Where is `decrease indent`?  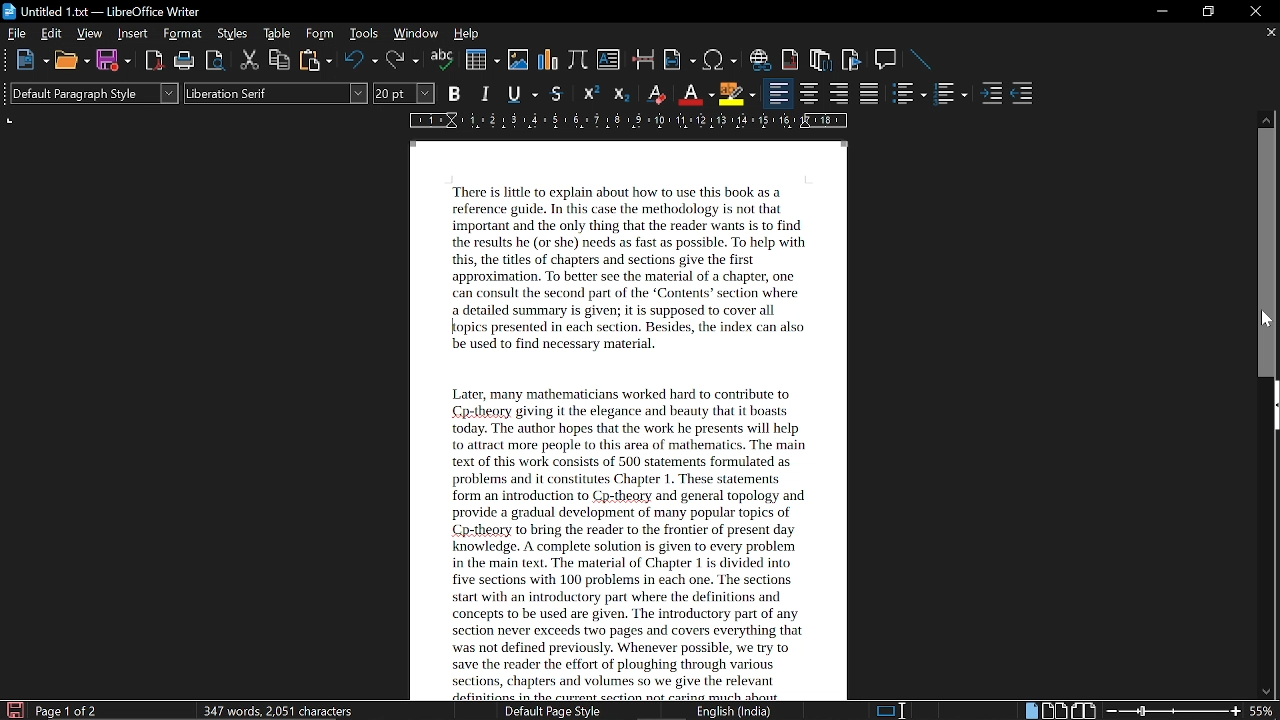 decrease indent is located at coordinates (1023, 97).